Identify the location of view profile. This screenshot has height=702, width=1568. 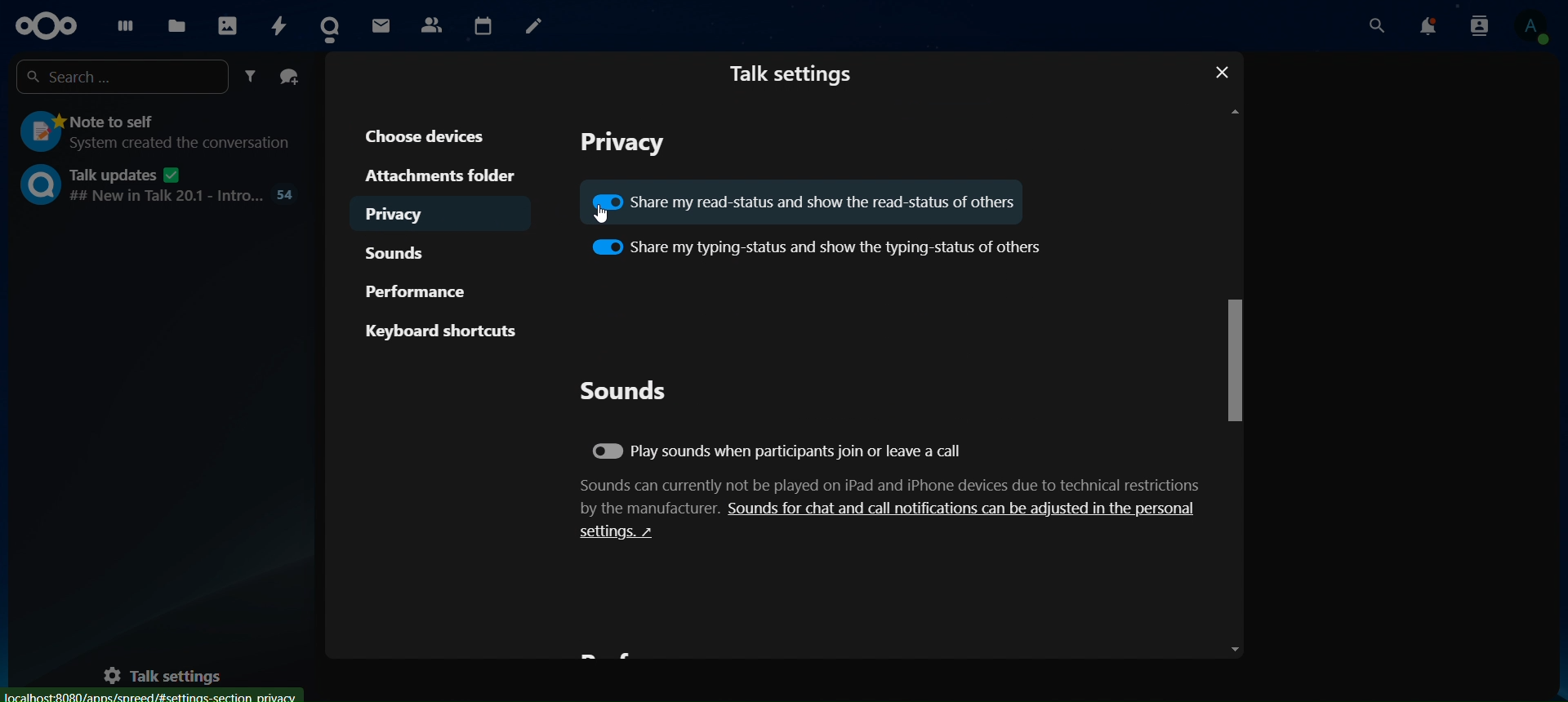
(1533, 28).